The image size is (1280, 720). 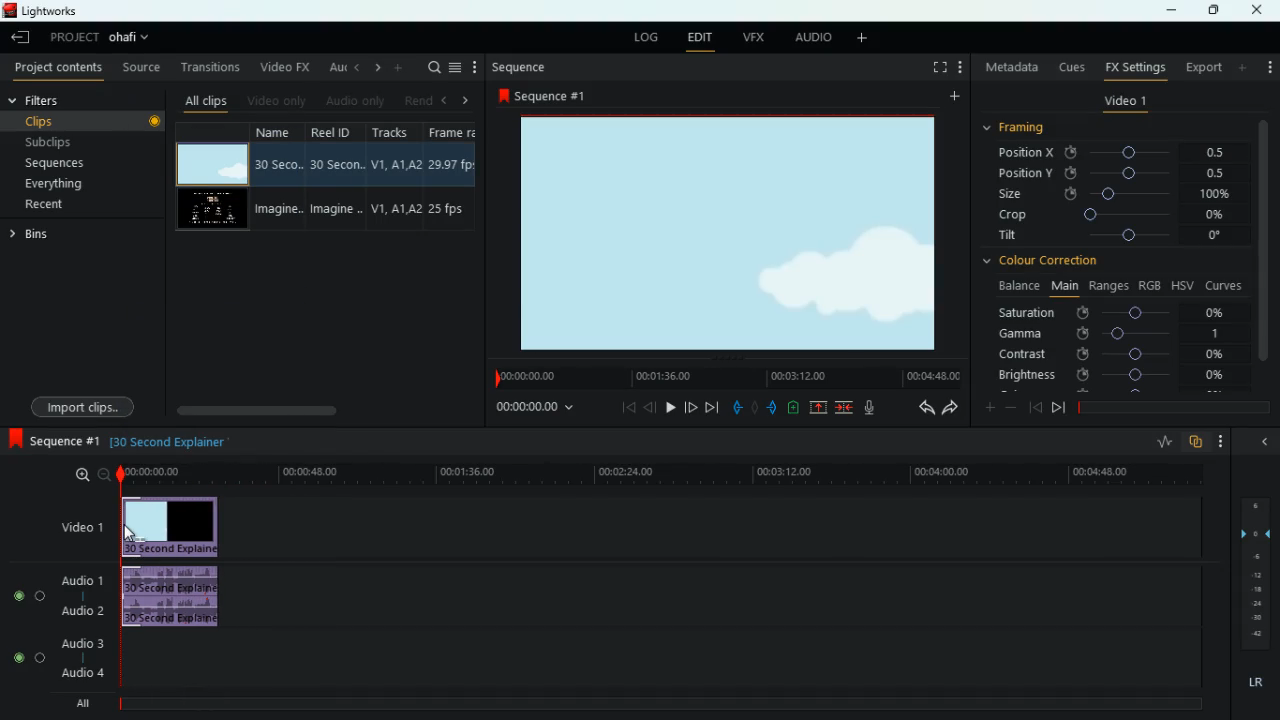 What do you see at coordinates (36, 237) in the screenshot?
I see `bins` at bounding box center [36, 237].